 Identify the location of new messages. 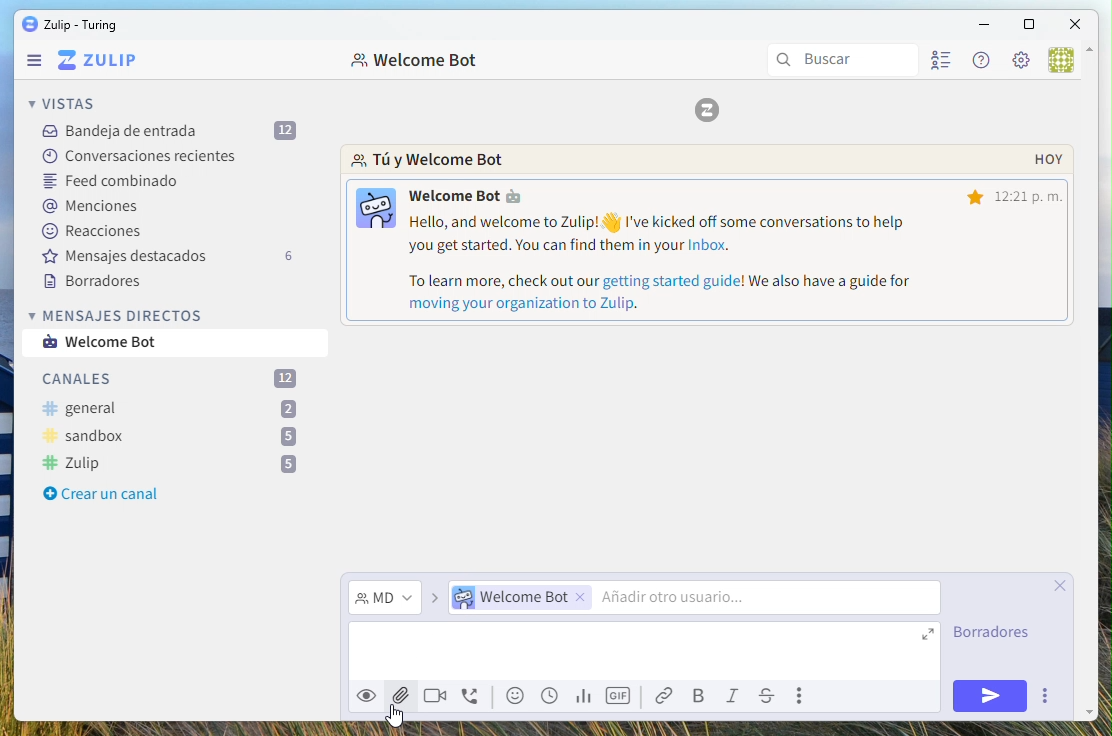
(711, 236).